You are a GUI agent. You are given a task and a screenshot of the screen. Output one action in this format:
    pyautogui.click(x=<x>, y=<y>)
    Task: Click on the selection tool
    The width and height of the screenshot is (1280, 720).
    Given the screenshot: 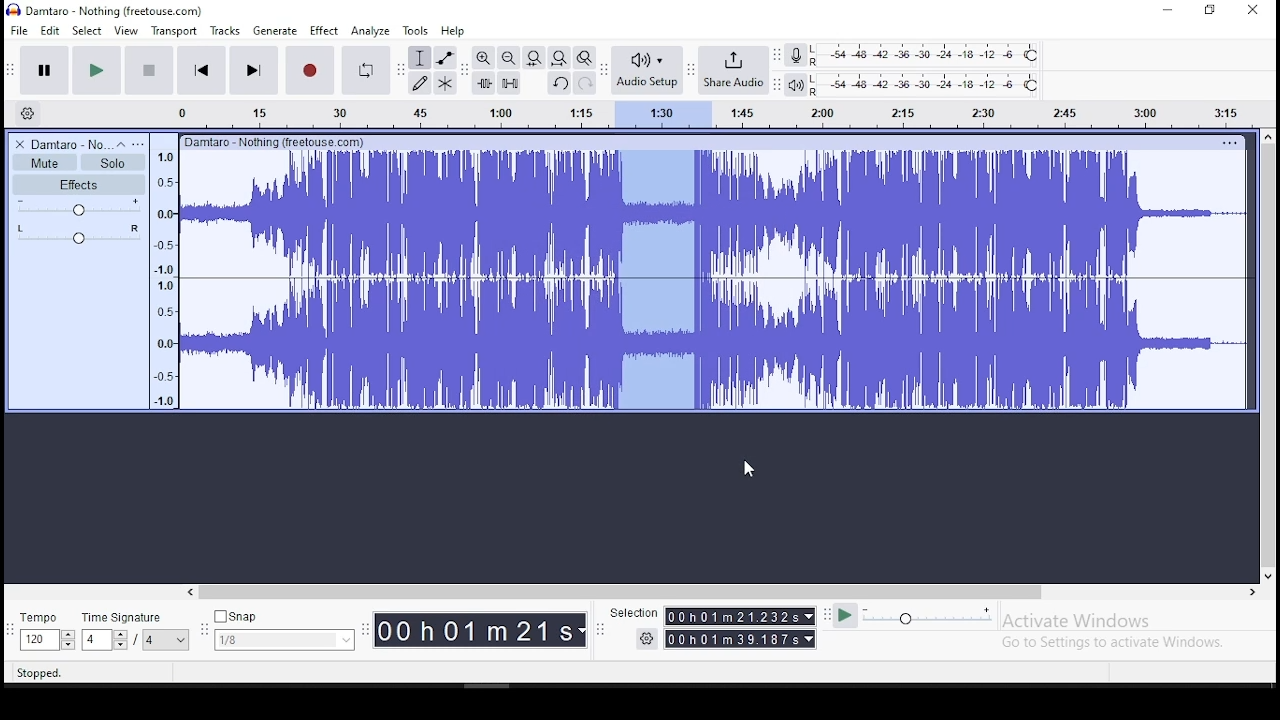 What is the action you would take?
    pyautogui.click(x=421, y=58)
    